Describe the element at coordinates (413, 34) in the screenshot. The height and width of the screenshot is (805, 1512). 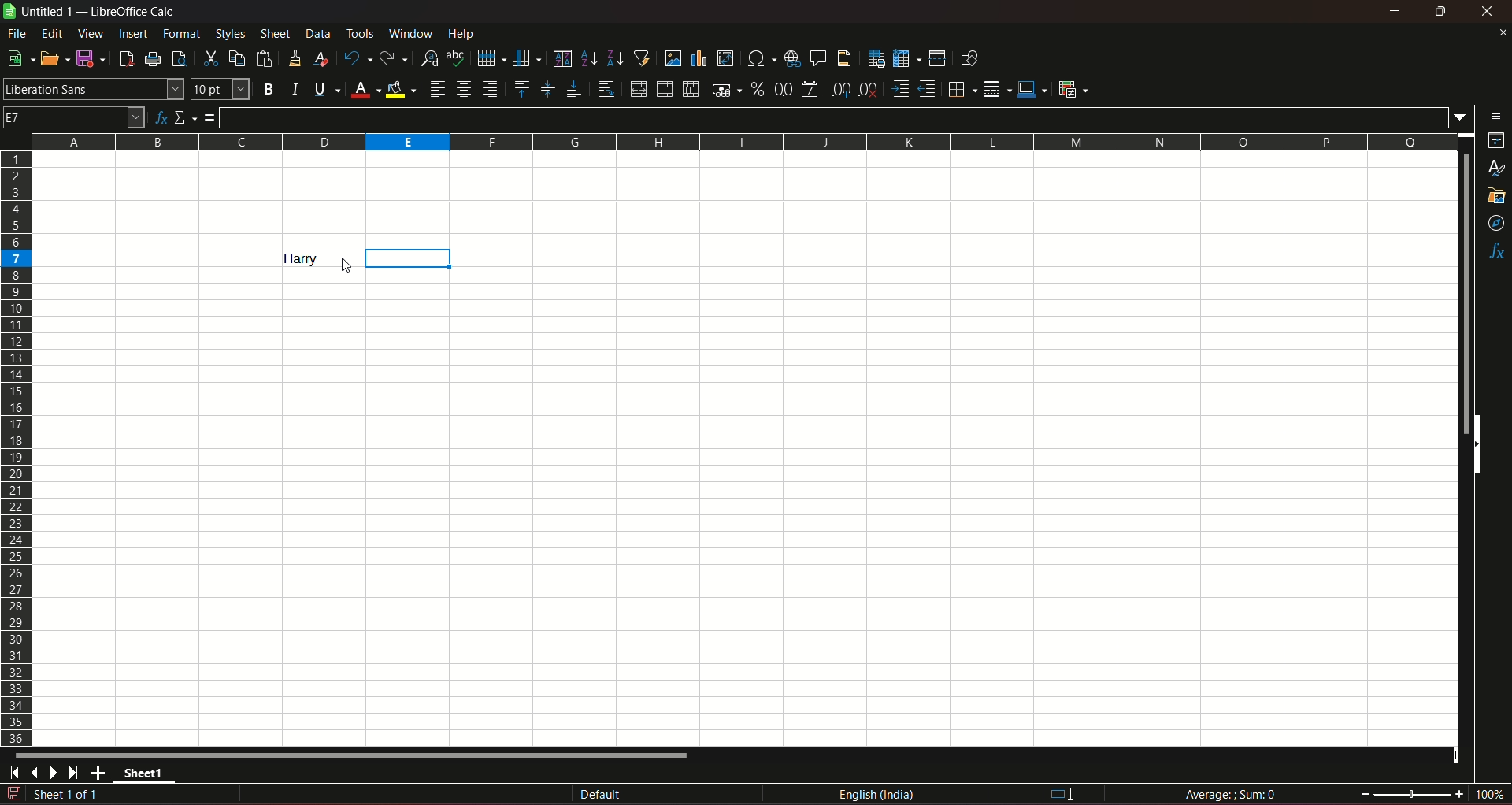
I see `window` at that location.